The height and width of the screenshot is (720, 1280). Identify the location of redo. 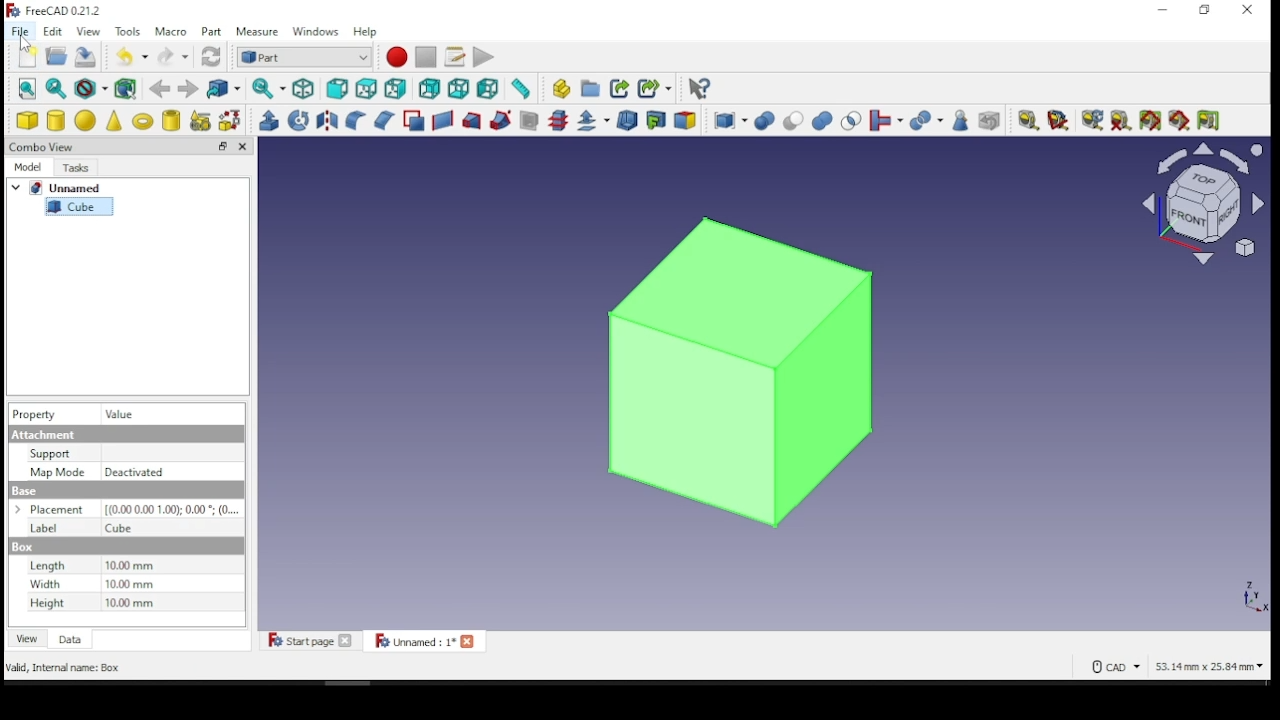
(173, 56).